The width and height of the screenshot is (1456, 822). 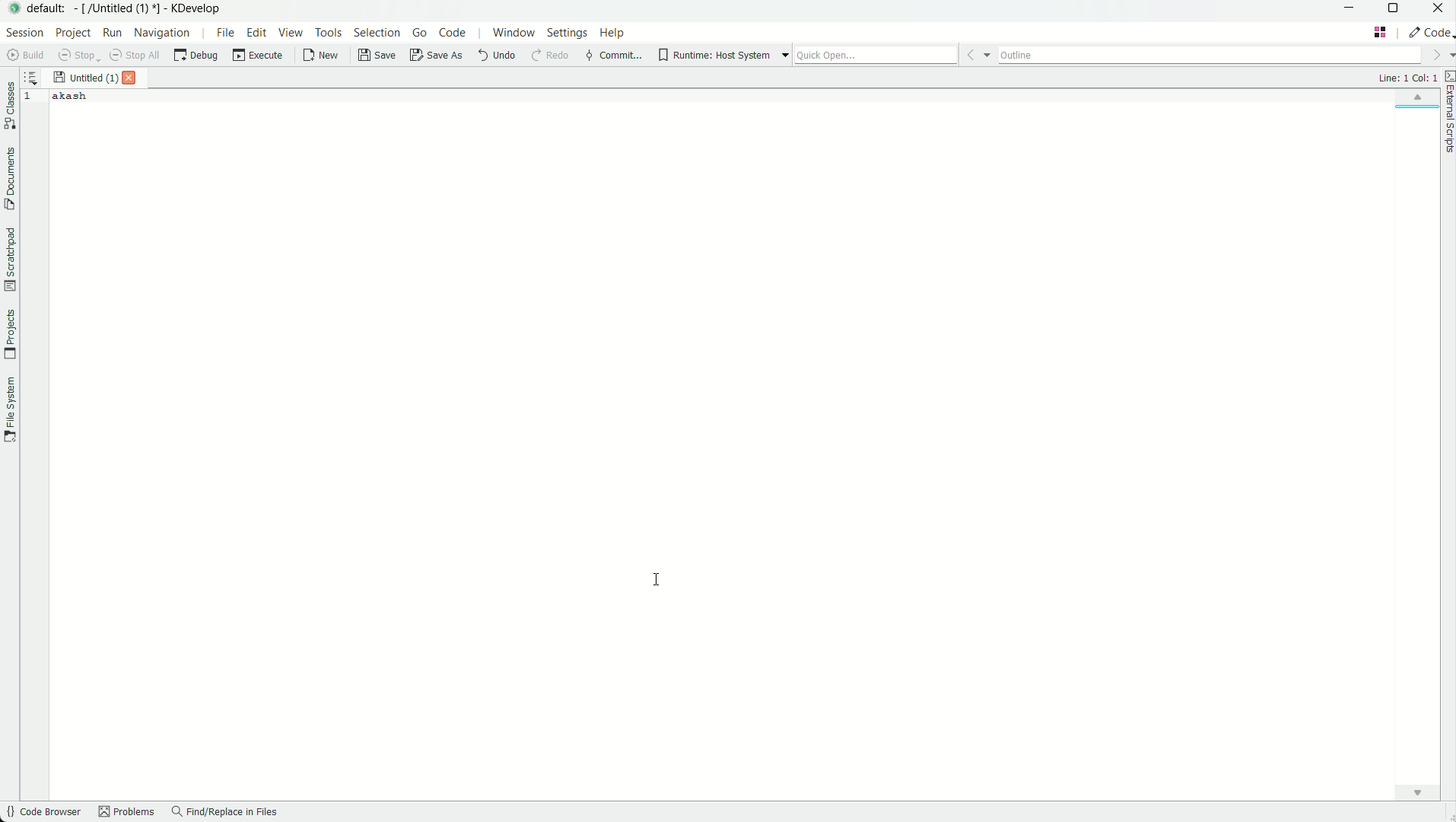 I want to click on settings menu, so click(x=567, y=35).